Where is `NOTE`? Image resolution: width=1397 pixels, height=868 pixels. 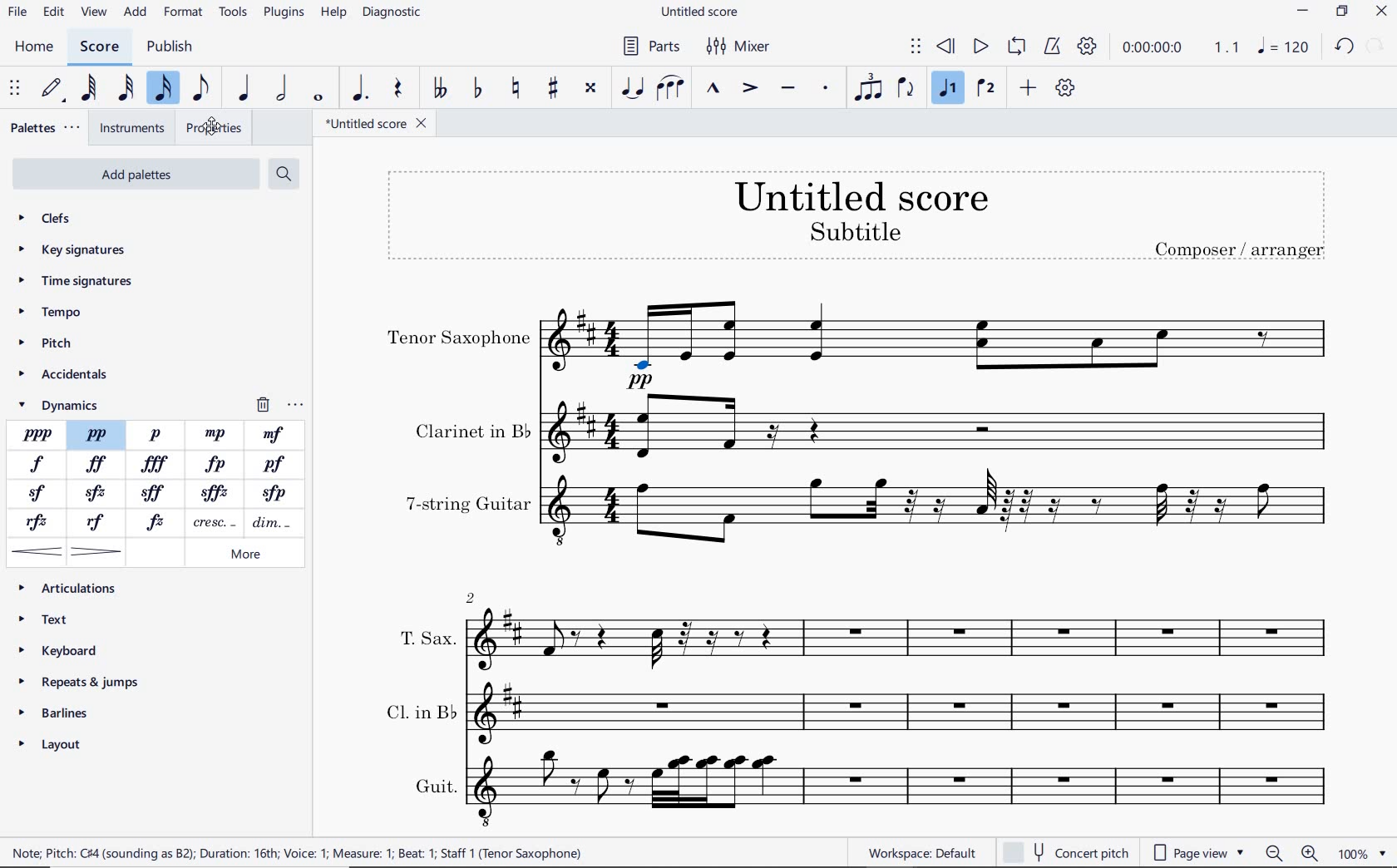
NOTE is located at coordinates (1284, 48).